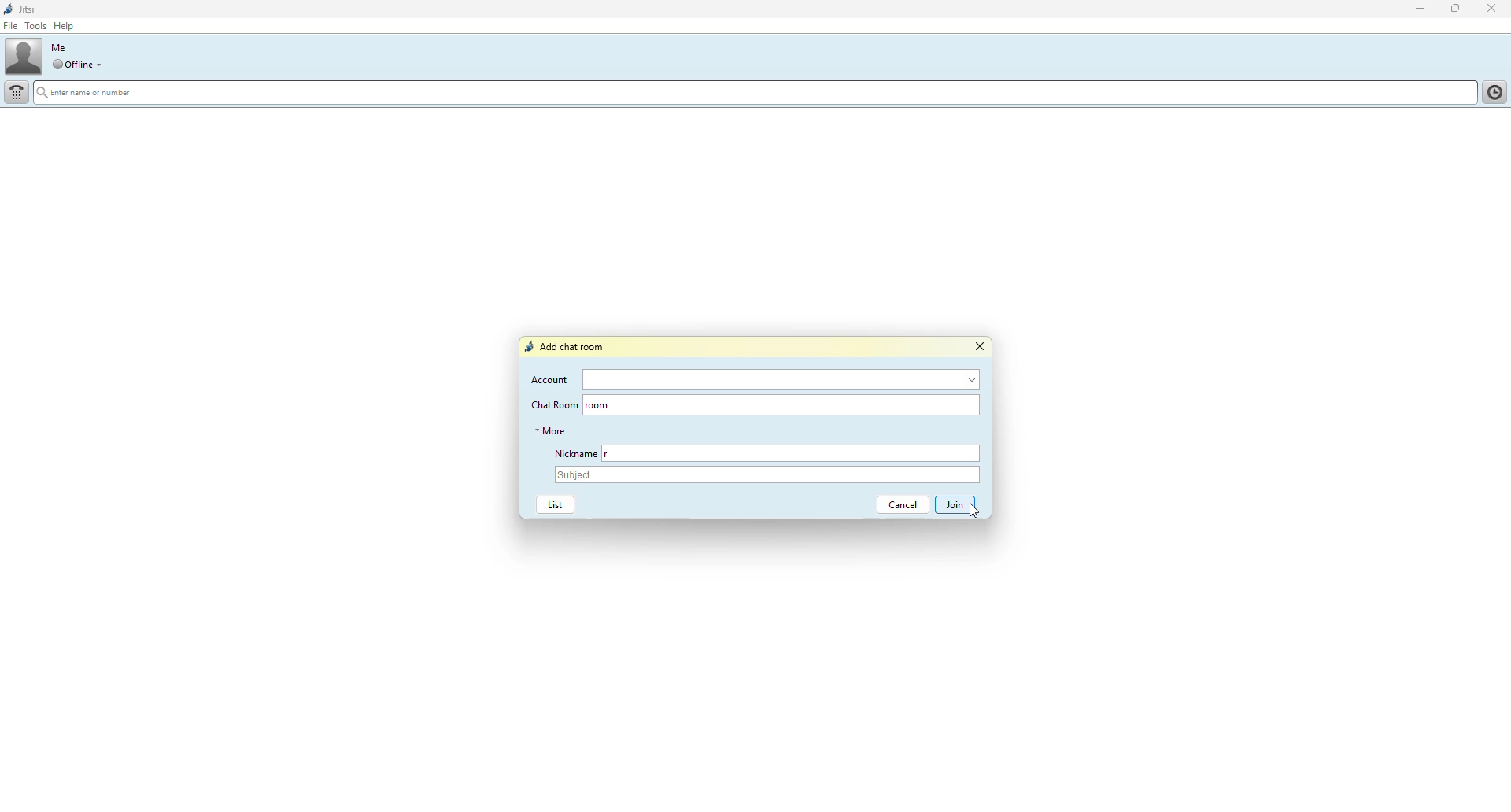 The height and width of the screenshot is (812, 1511). I want to click on minimize, so click(1413, 9).